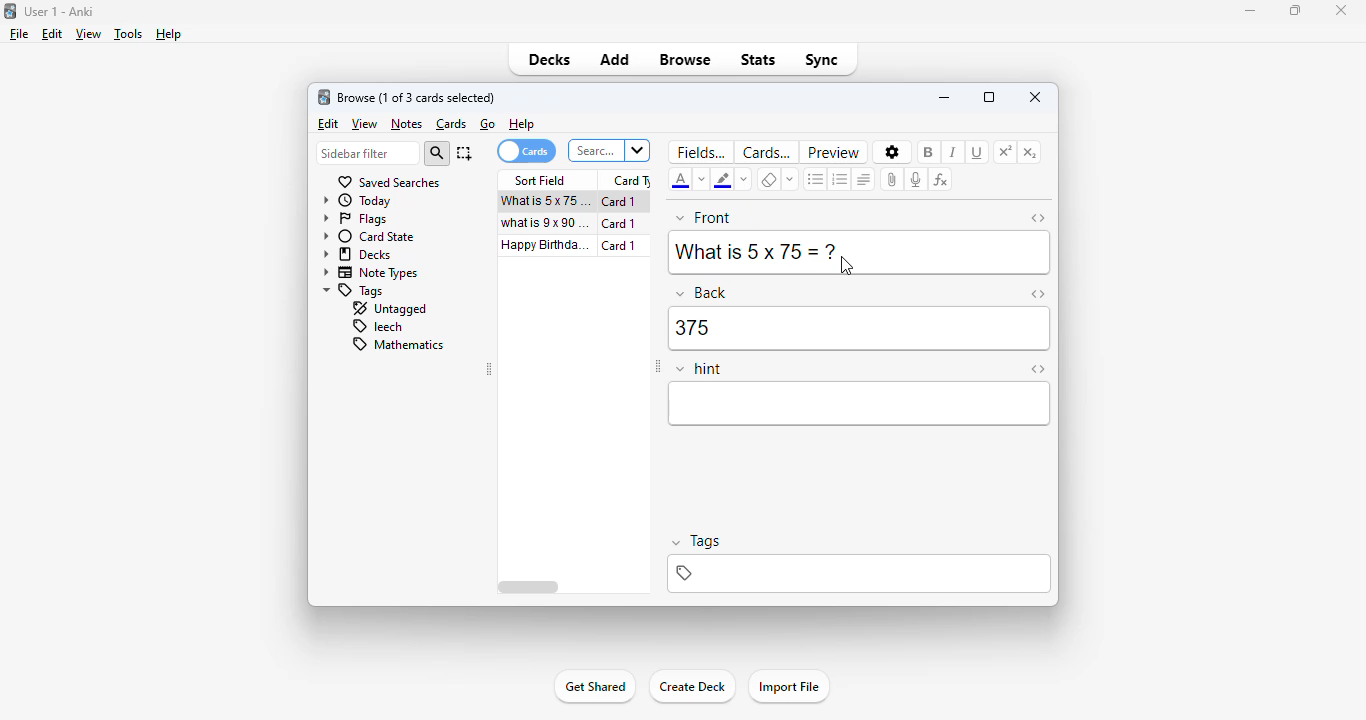  Describe the element at coordinates (522, 124) in the screenshot. I see `help` at that location.